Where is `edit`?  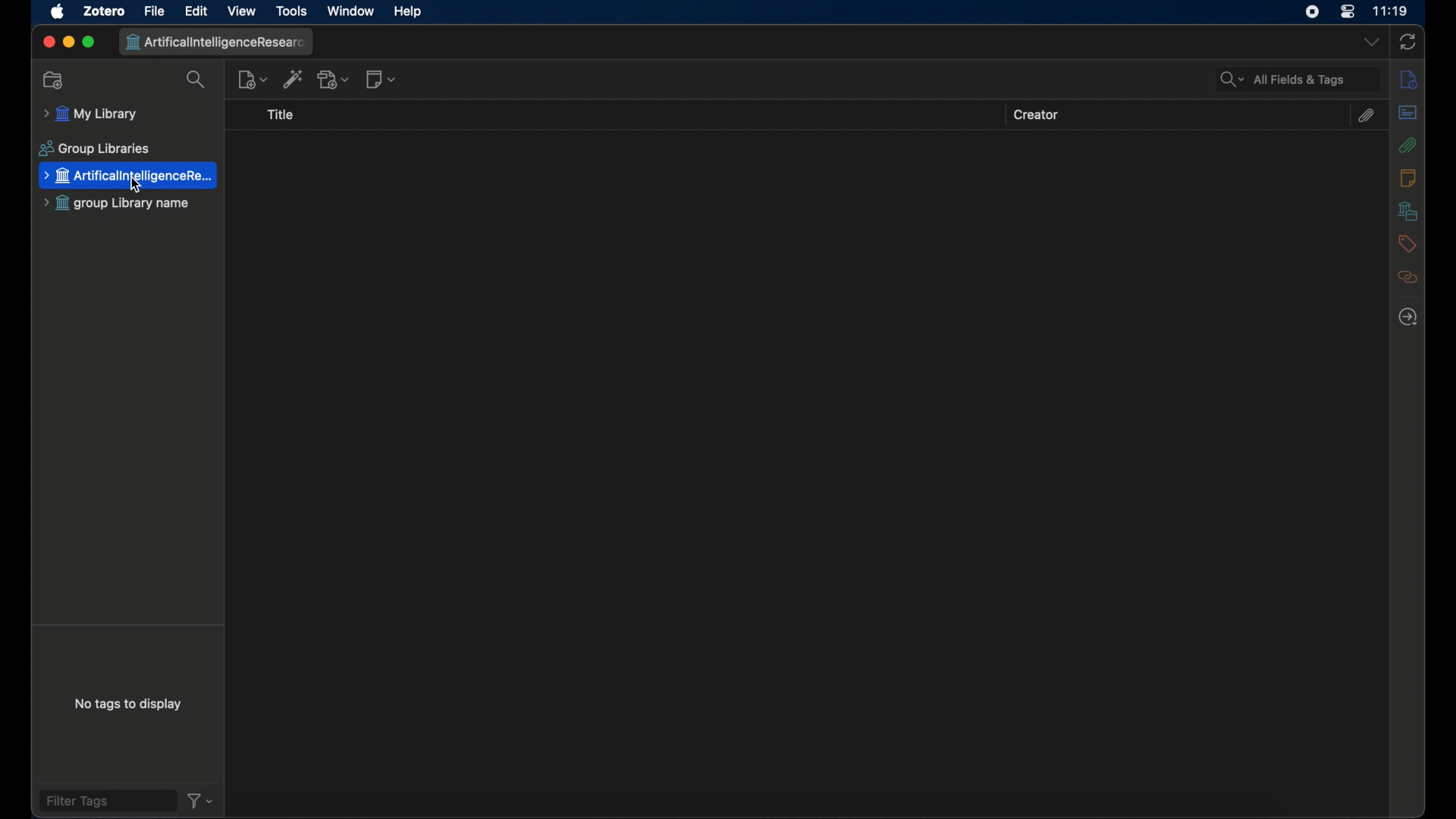
edit is located at coordinates (197, 11).